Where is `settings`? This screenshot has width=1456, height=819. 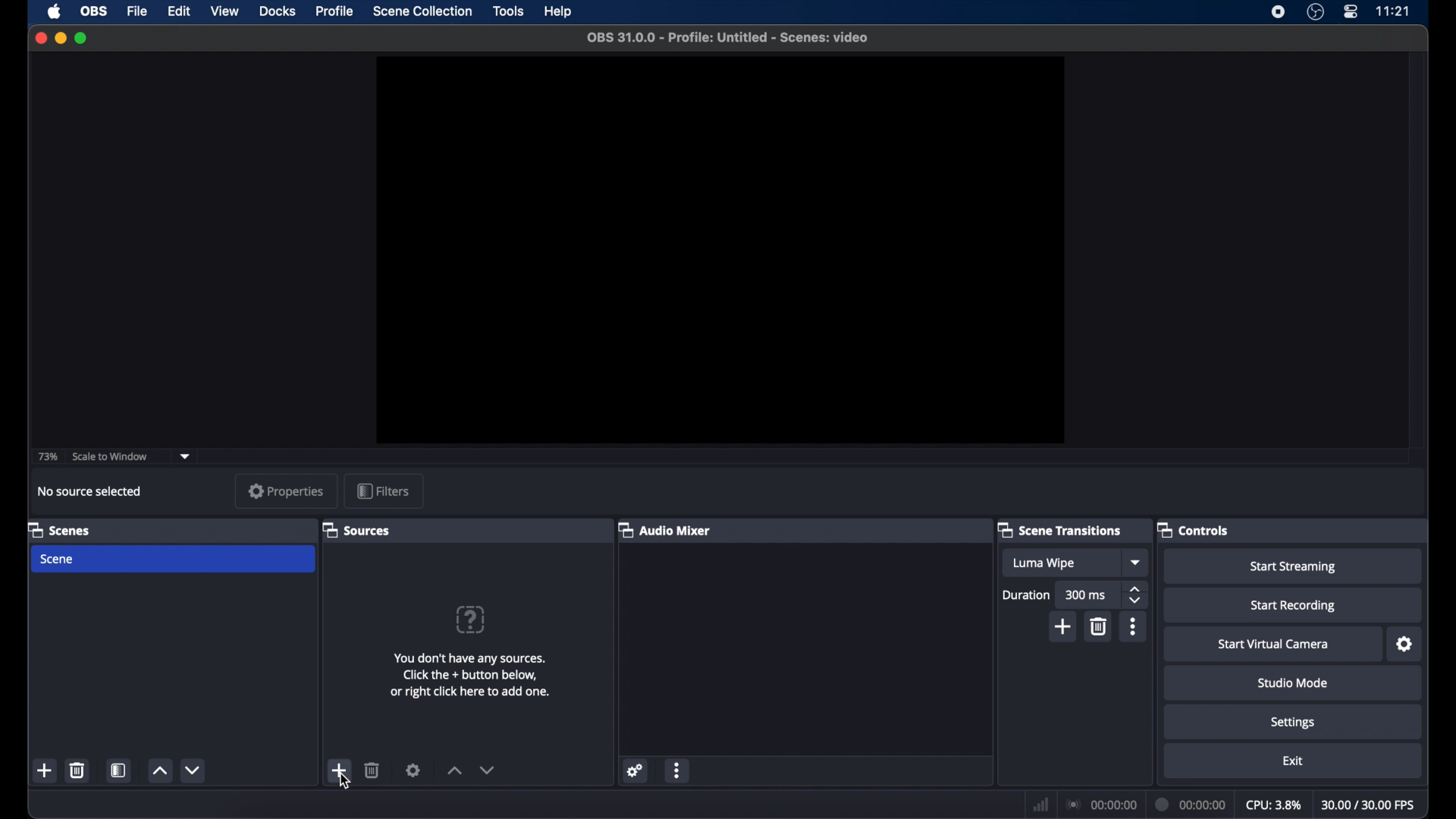 settings is located at coordinates (1294, 723).